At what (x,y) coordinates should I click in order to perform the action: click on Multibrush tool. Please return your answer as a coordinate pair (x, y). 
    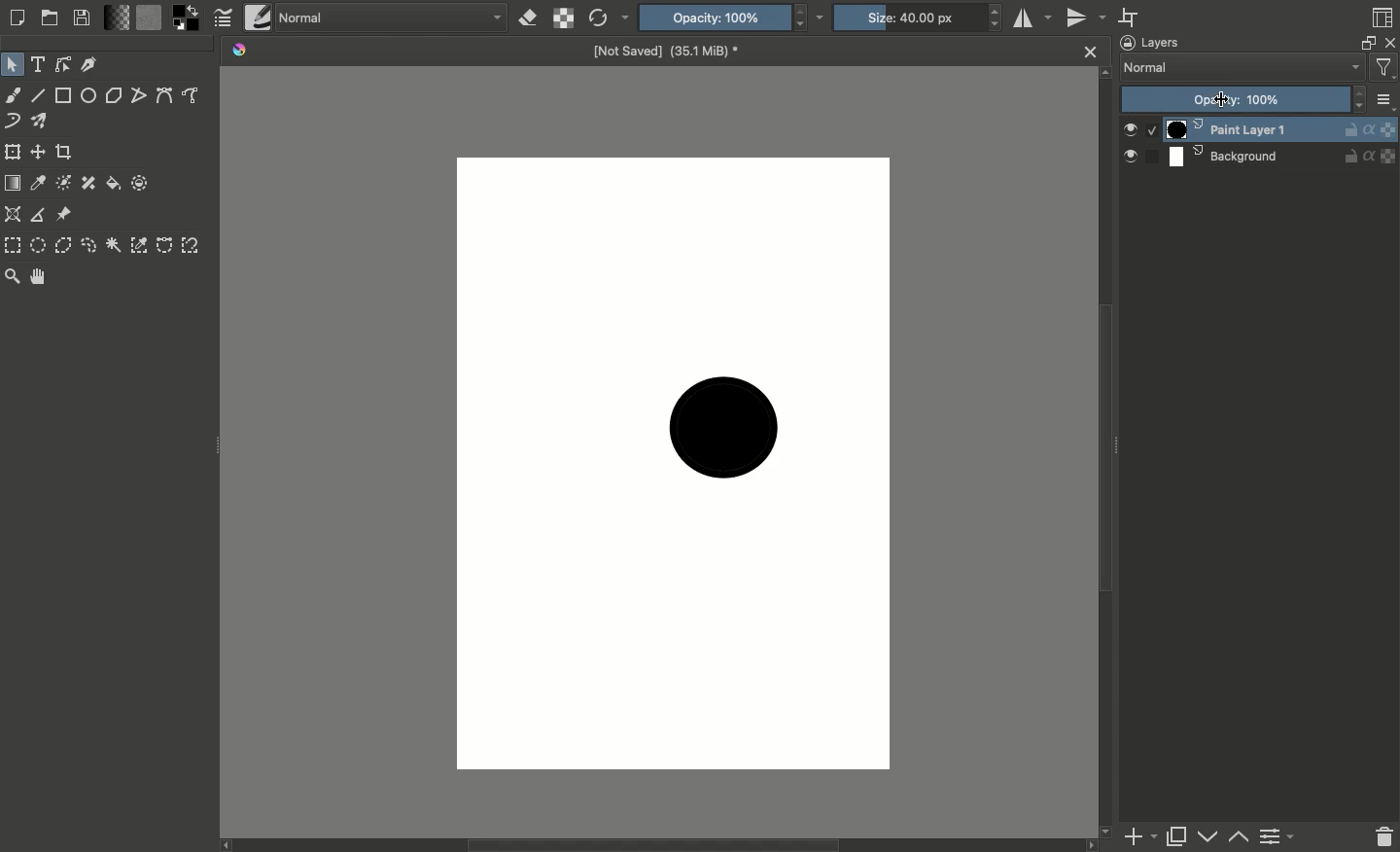
    Looking at the image, I should click on (41, 121).